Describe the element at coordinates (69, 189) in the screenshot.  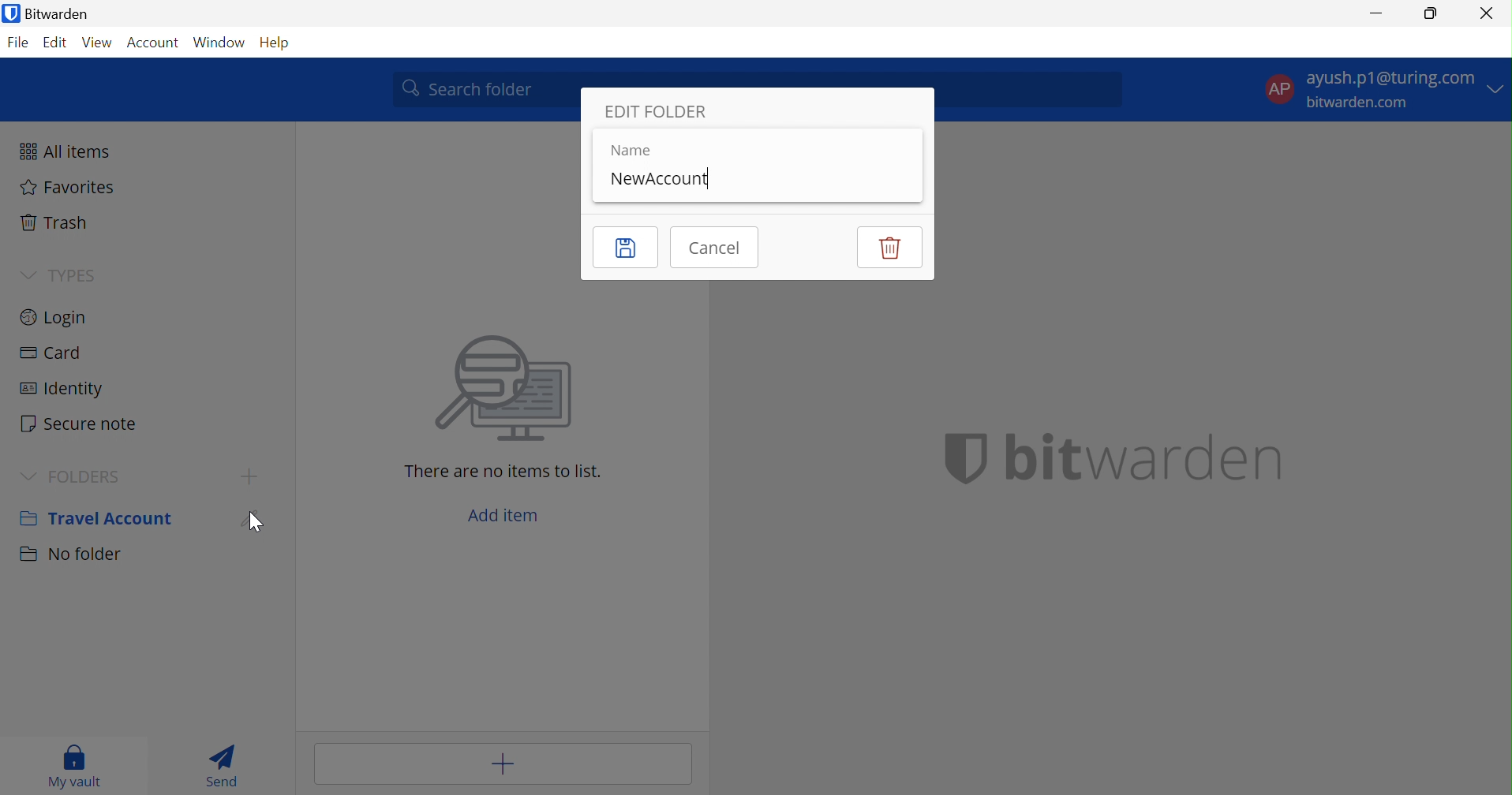
I see `Favorites` at that location.